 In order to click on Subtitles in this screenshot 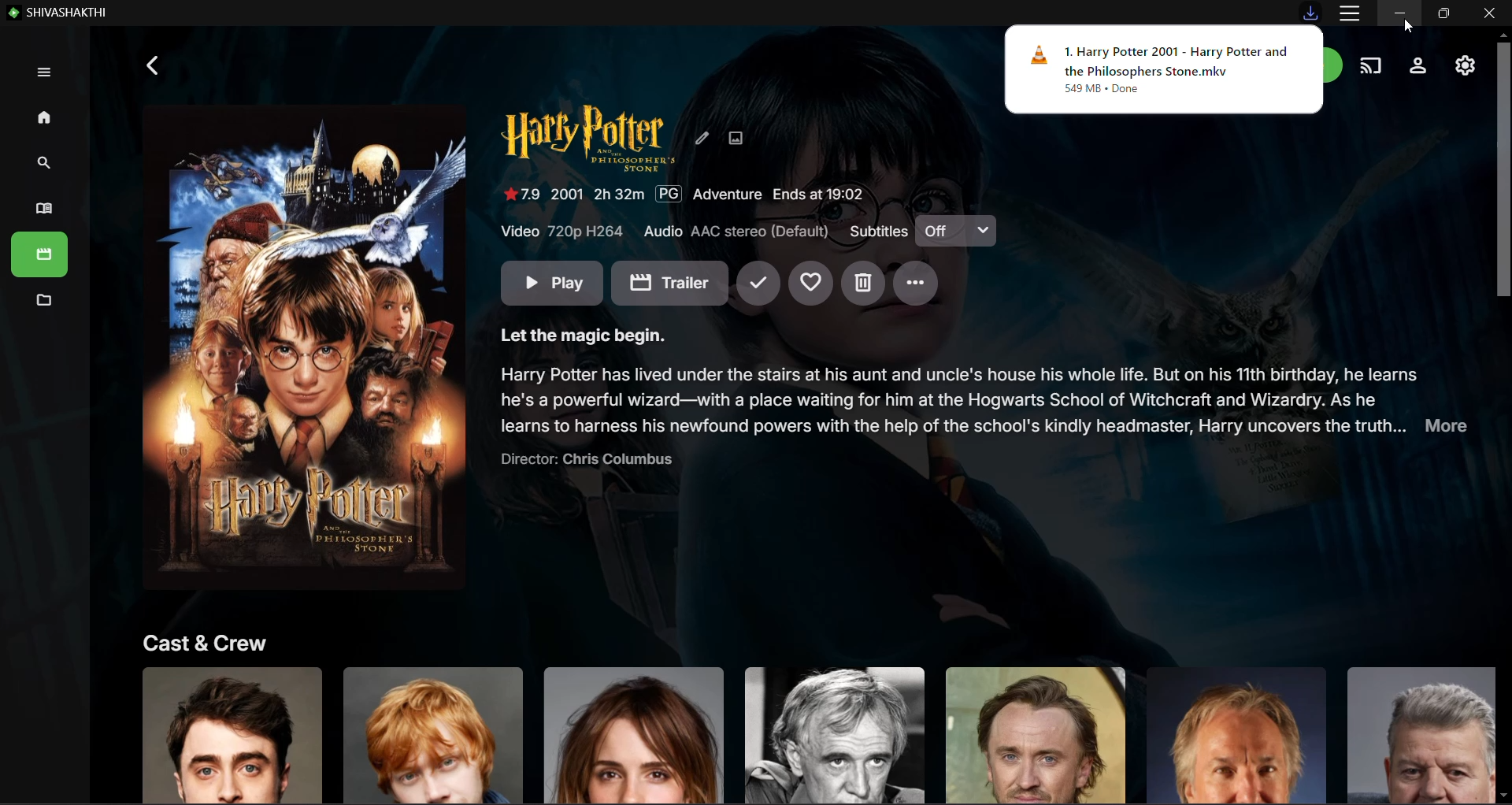, I will do `click(876, 231)`.